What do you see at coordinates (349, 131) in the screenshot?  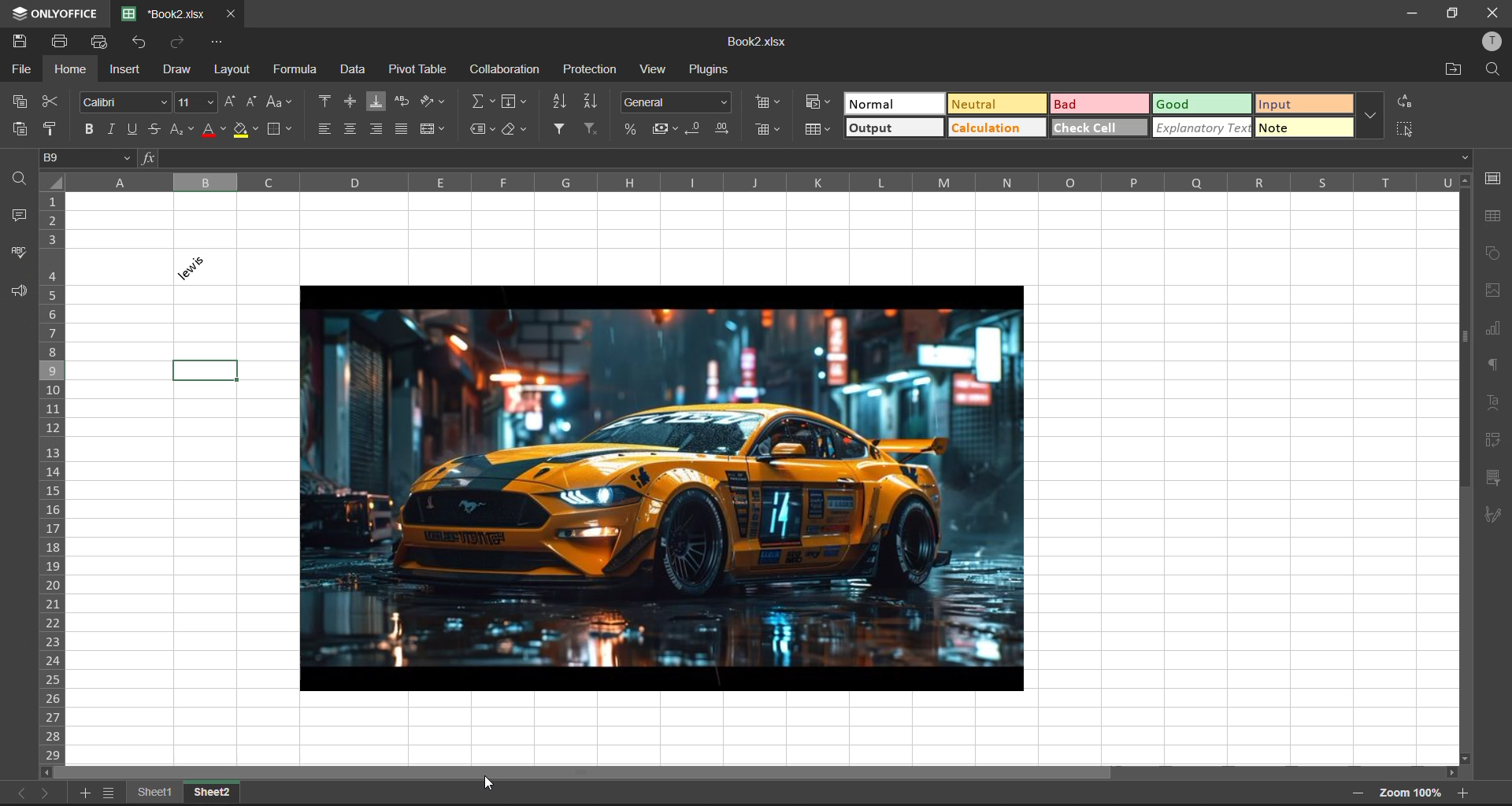 I see `align center` at bounding box center [349, 131].